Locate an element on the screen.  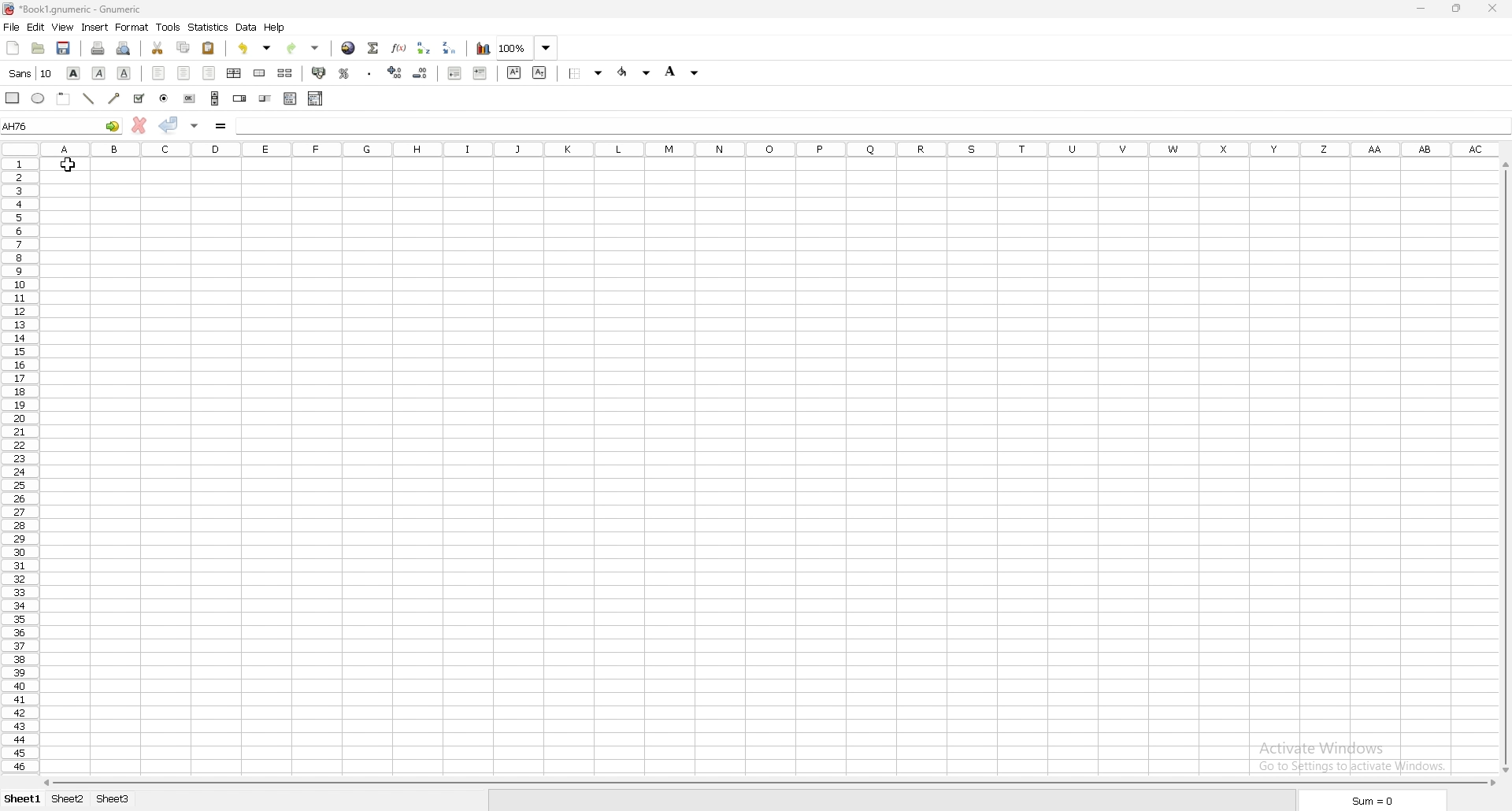
save is located at coordinates (65, 48).